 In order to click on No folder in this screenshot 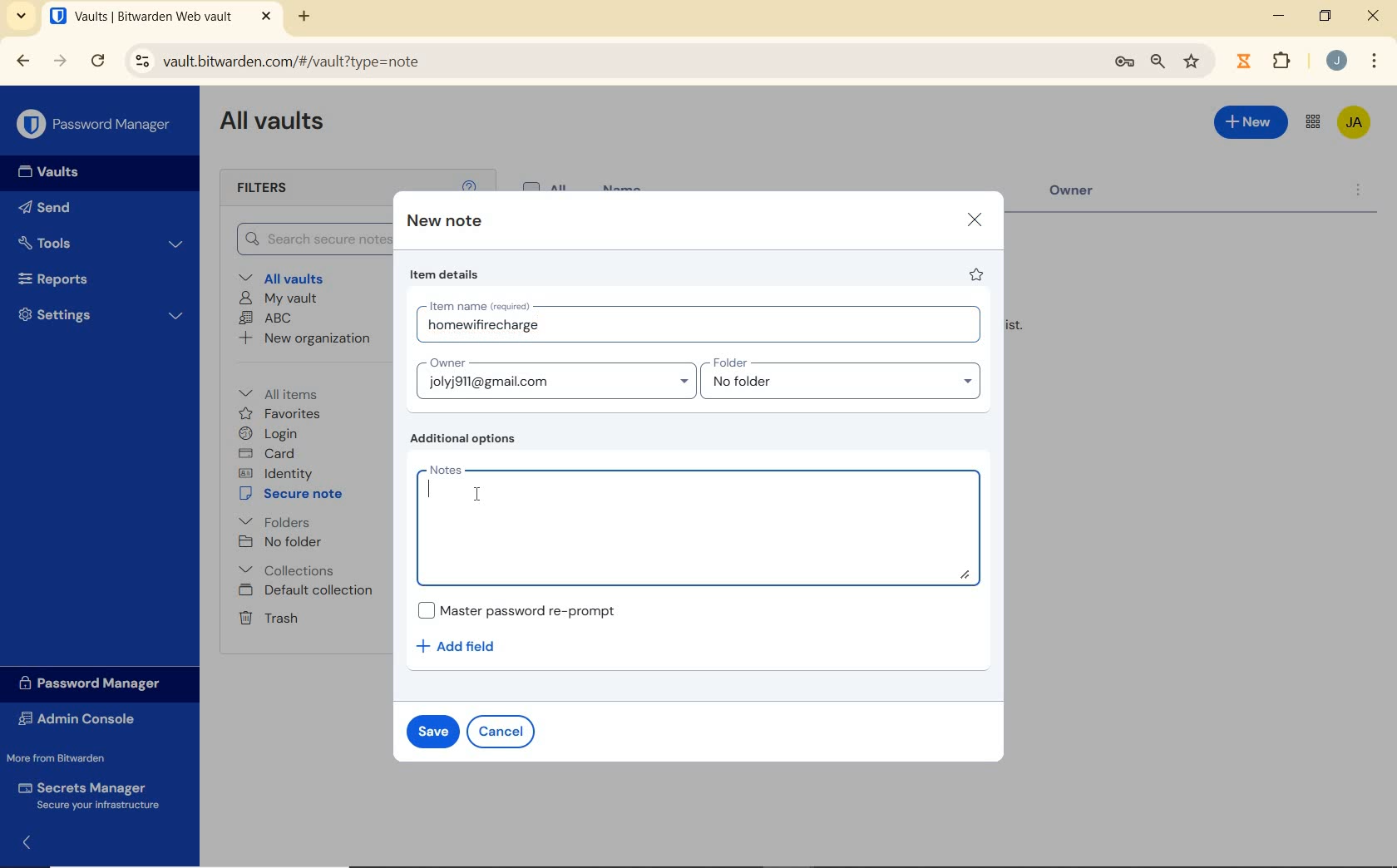, I will do `click(280, 542)`.